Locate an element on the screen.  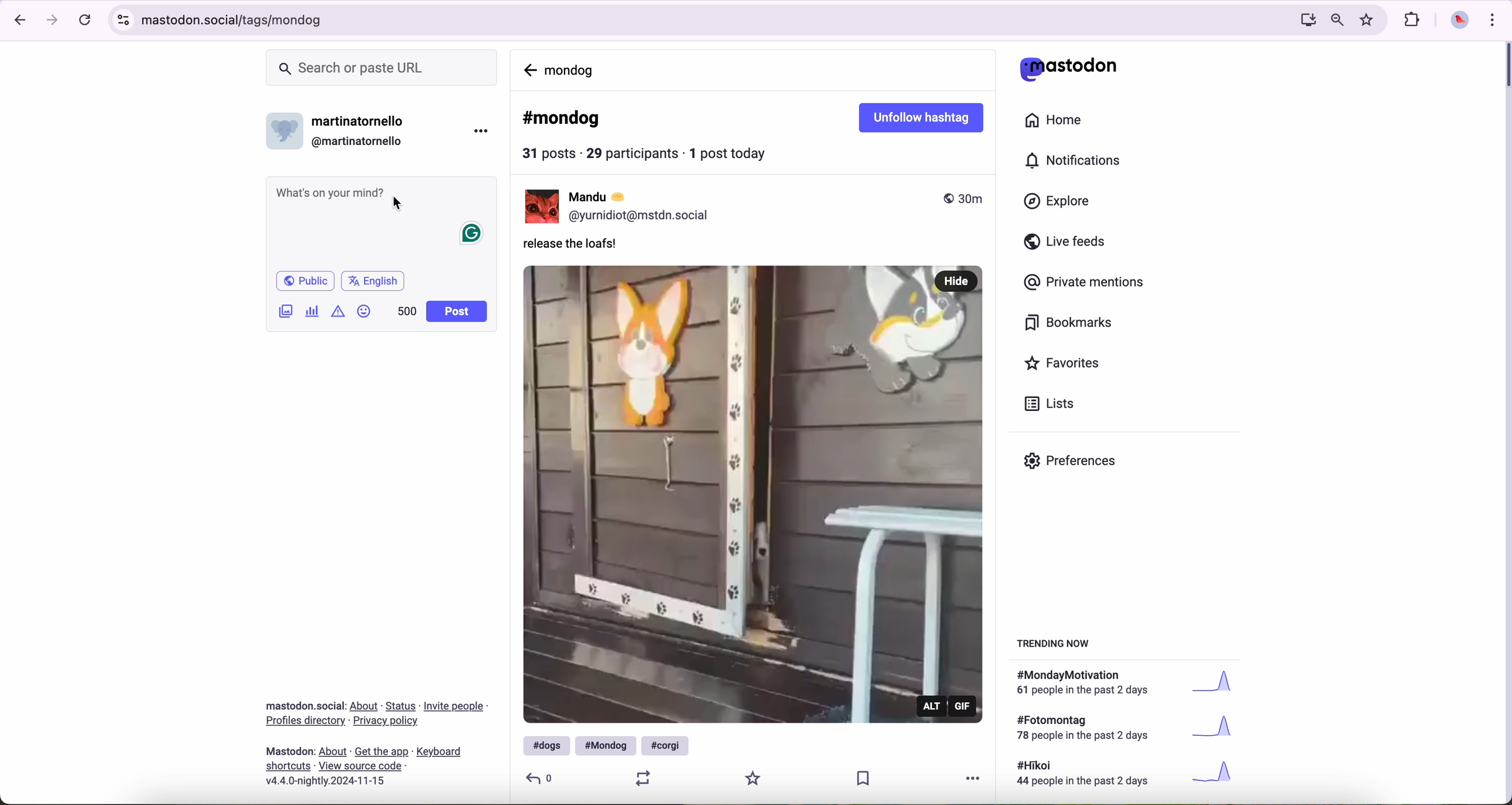
create a poll is located at coordinates (313, 311).